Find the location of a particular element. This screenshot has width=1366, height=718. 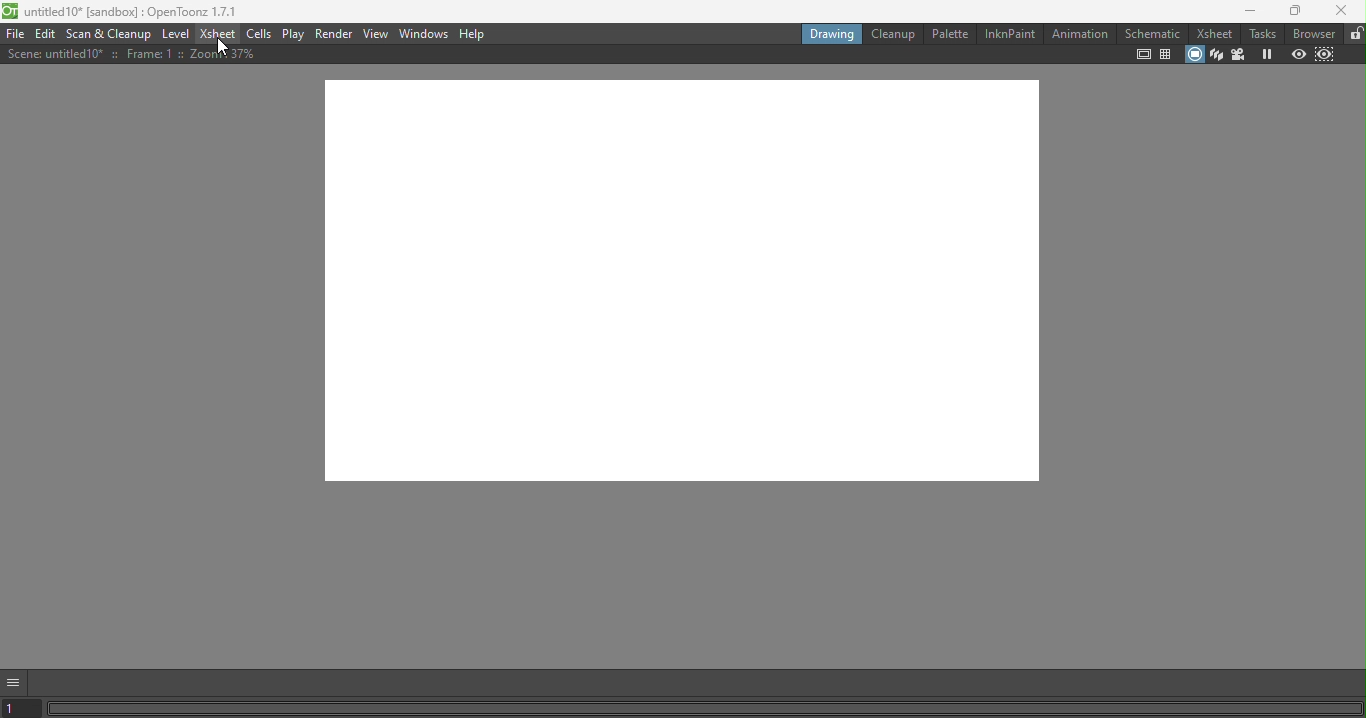

Xsheet is located at coordinates (1212, 34).